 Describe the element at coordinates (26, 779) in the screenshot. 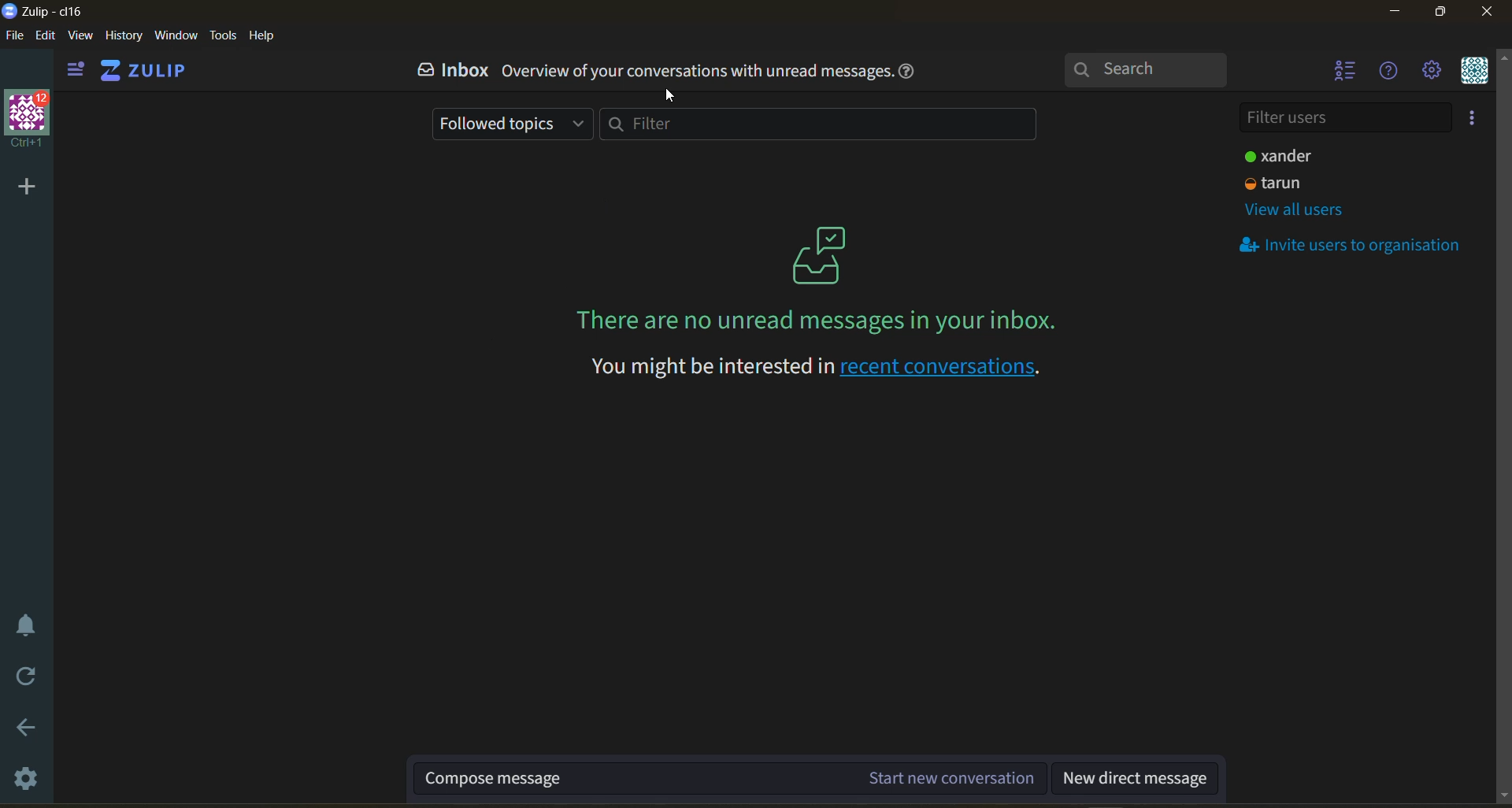

I see `settings` at that location.